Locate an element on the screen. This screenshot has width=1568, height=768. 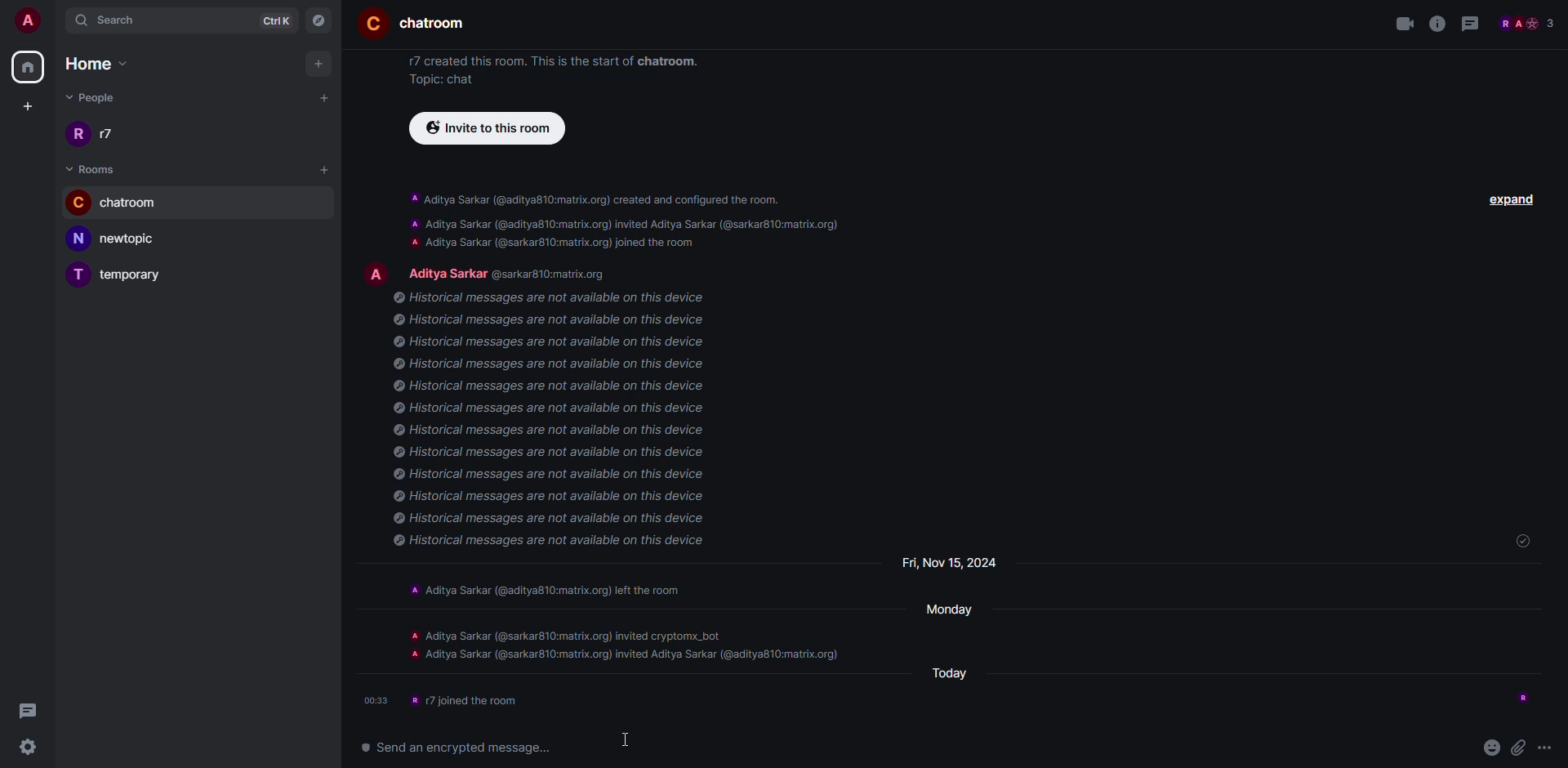
17 created this room. This is the start of chatroom.
Topic: chat is located at coordinates (549, 69).